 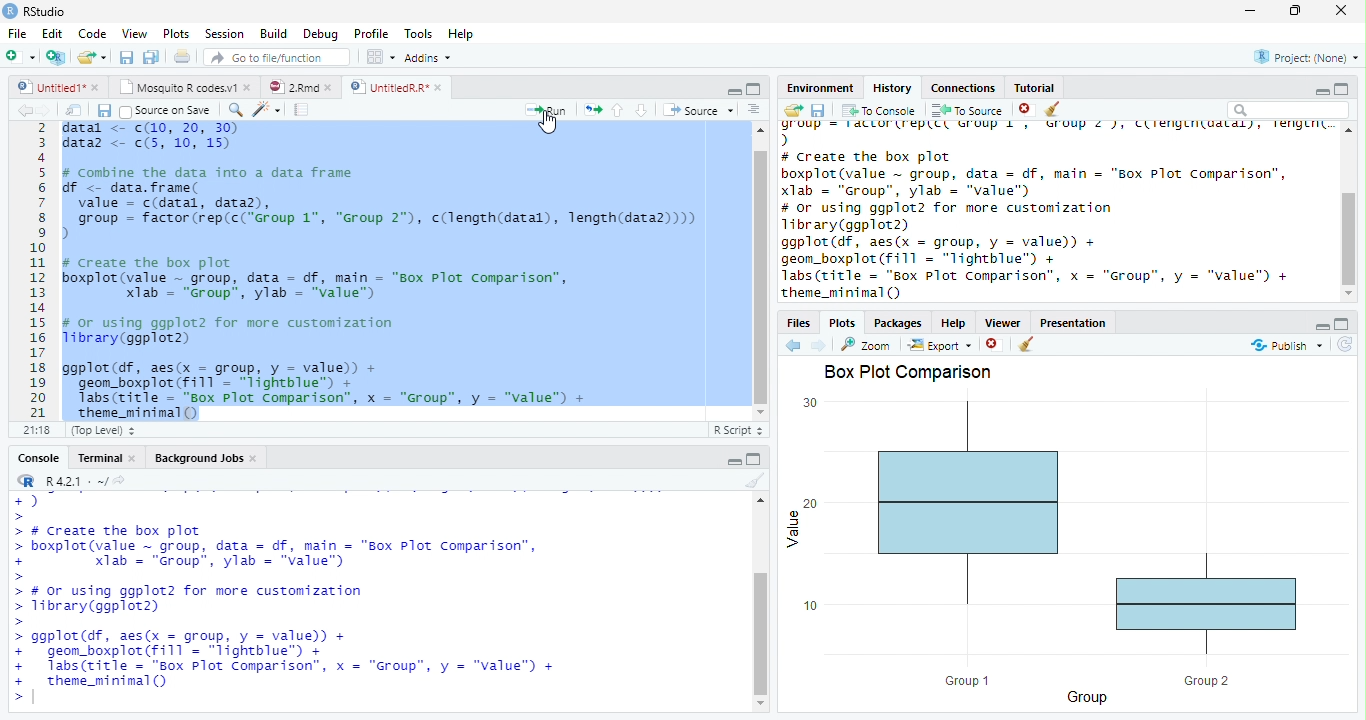 What do you see at coordinates (898, 322) in the screenshot?
I see `Packages` at bounding box center [898, 322].